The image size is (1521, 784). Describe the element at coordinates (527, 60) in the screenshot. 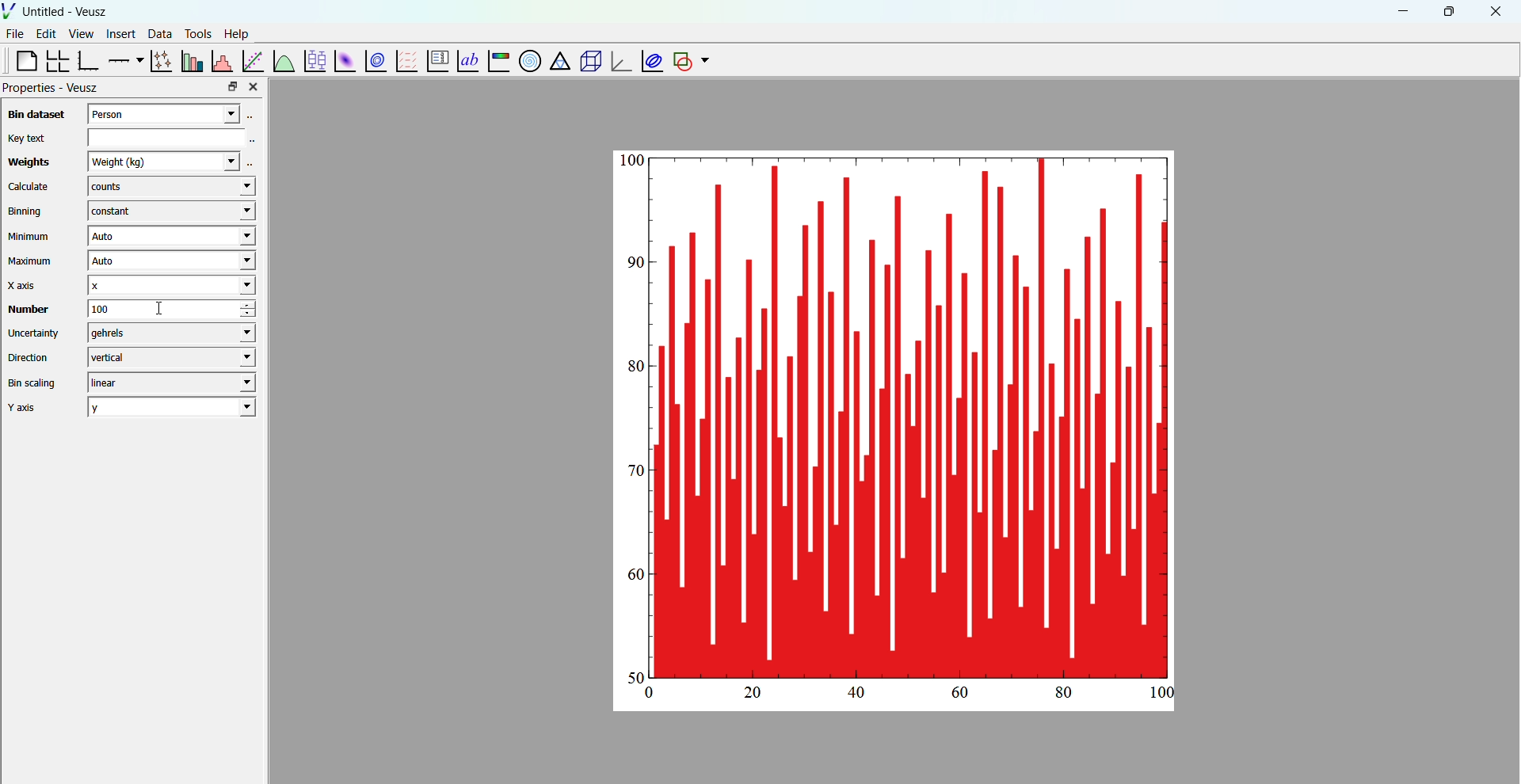

I see `polar graph` at that location.